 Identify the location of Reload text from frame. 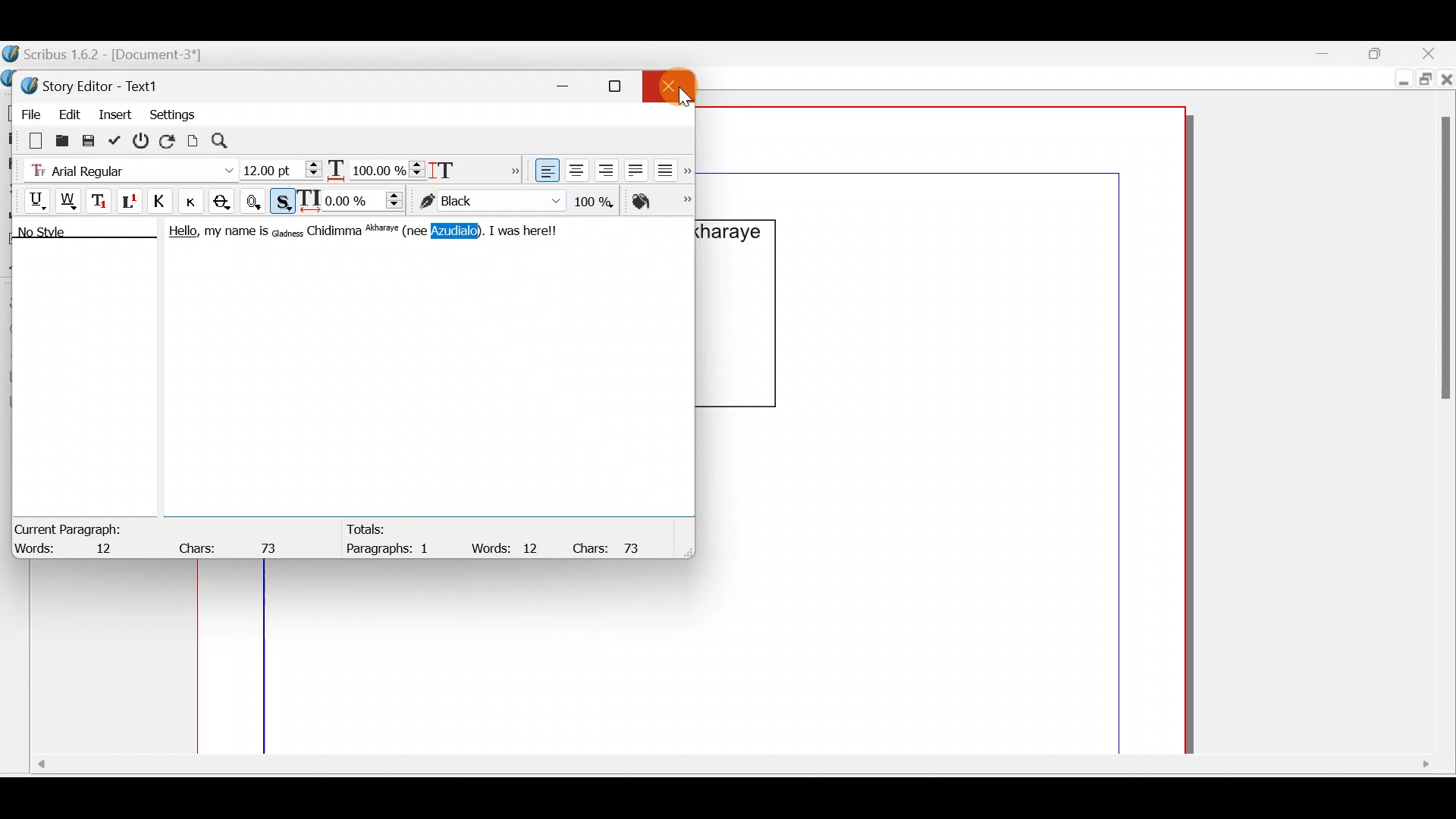
(169, 140).